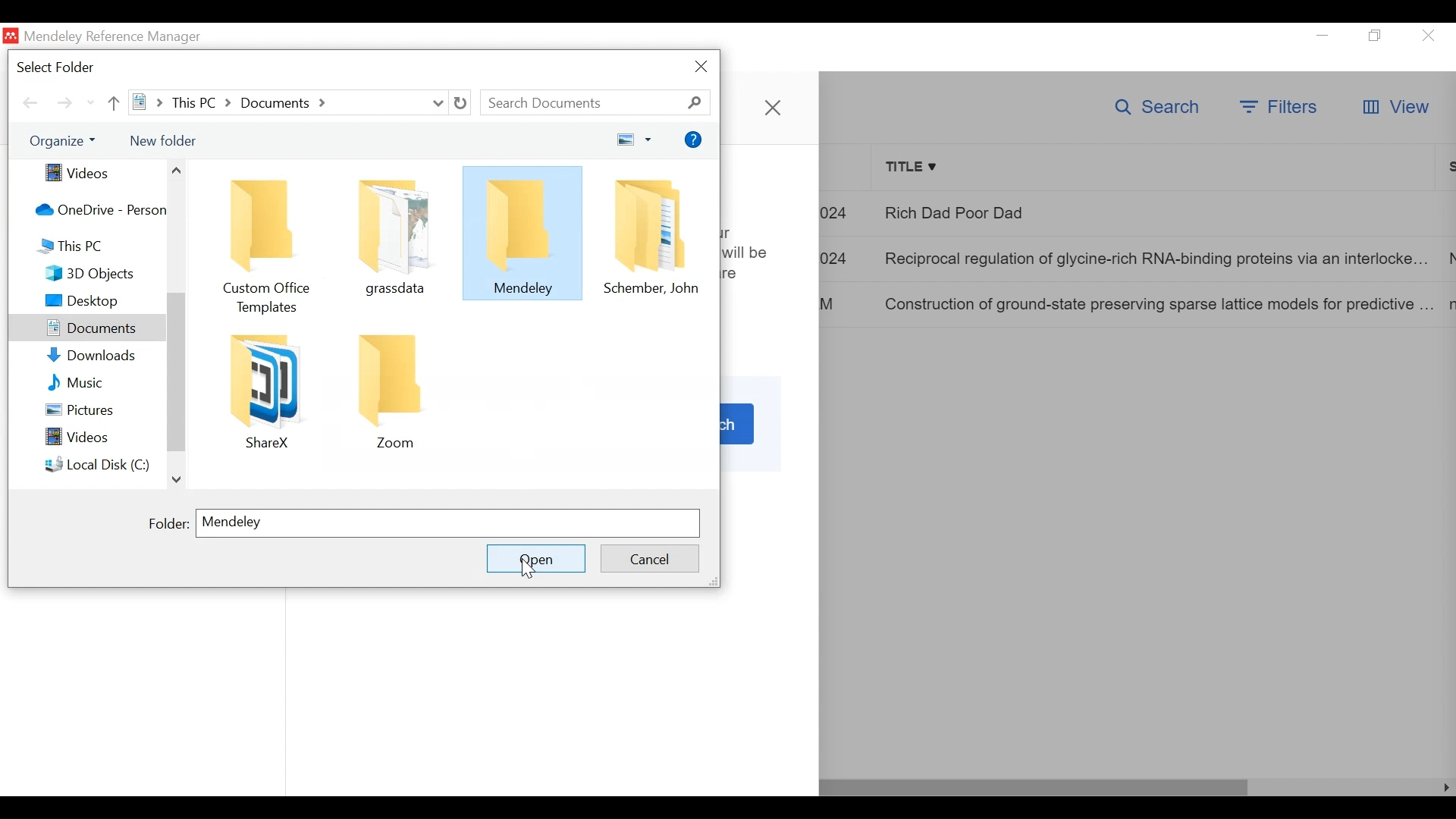 Image resolution: width=1456 pixels, height=819 pixels. Describe the element at coordinates (112, 103) in the screenshot. I see `Go Up` at that location.